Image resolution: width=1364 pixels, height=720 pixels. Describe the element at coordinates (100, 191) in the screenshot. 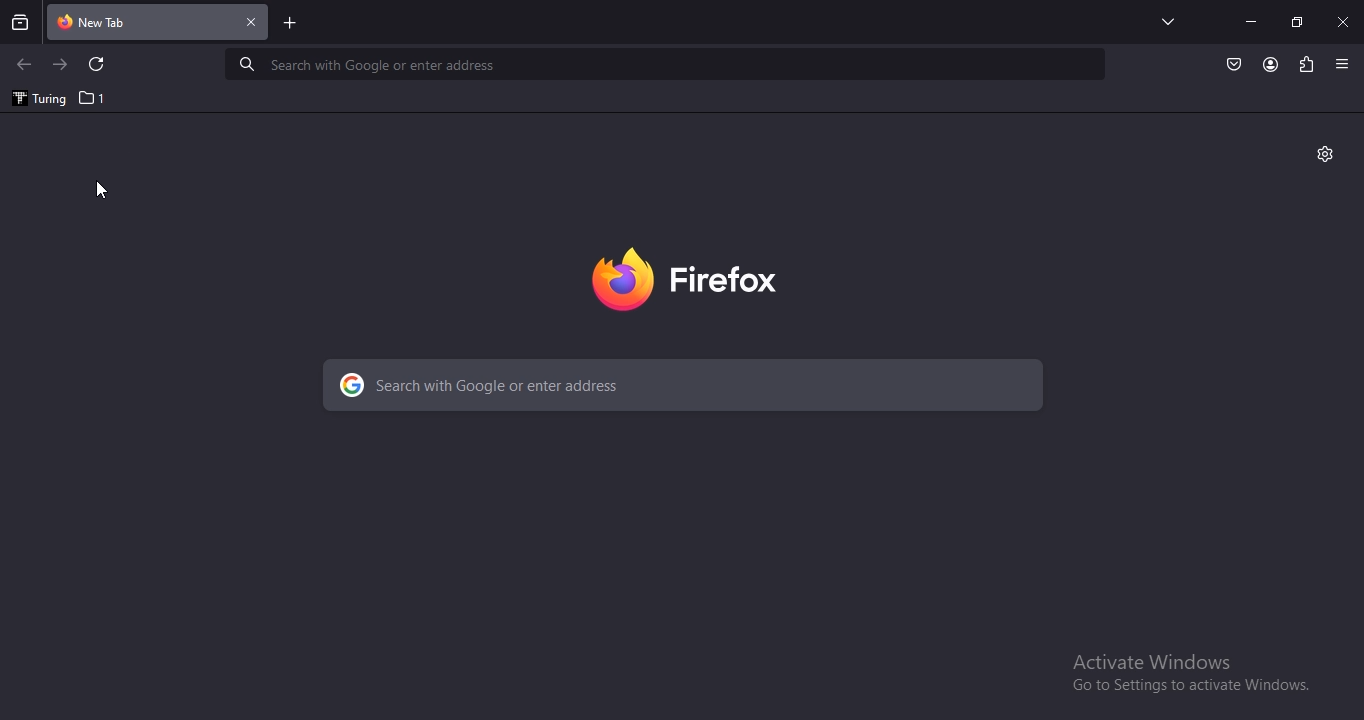

I see `Cursor` at that location.